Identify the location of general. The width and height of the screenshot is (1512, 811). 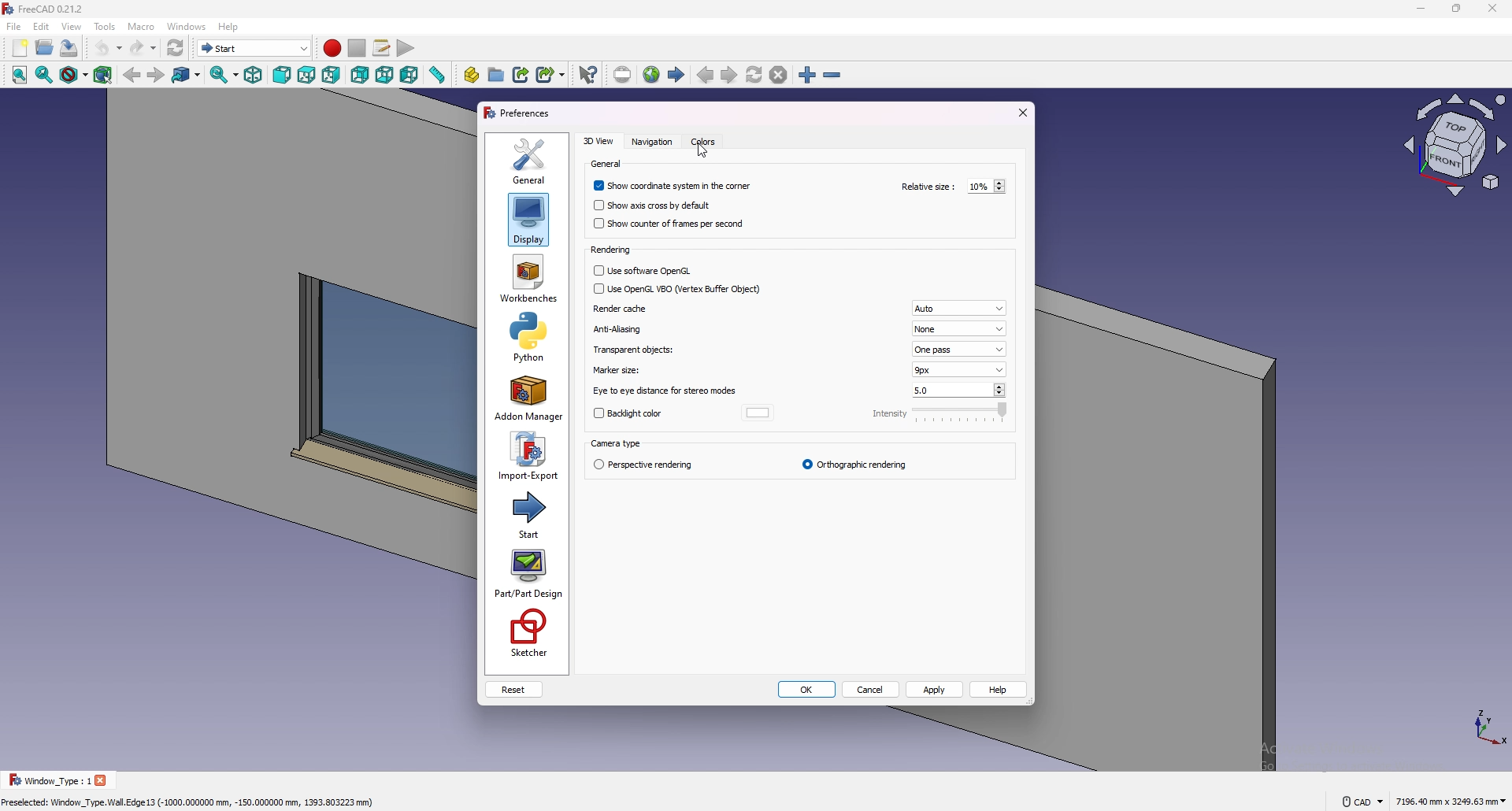
(530, 160).